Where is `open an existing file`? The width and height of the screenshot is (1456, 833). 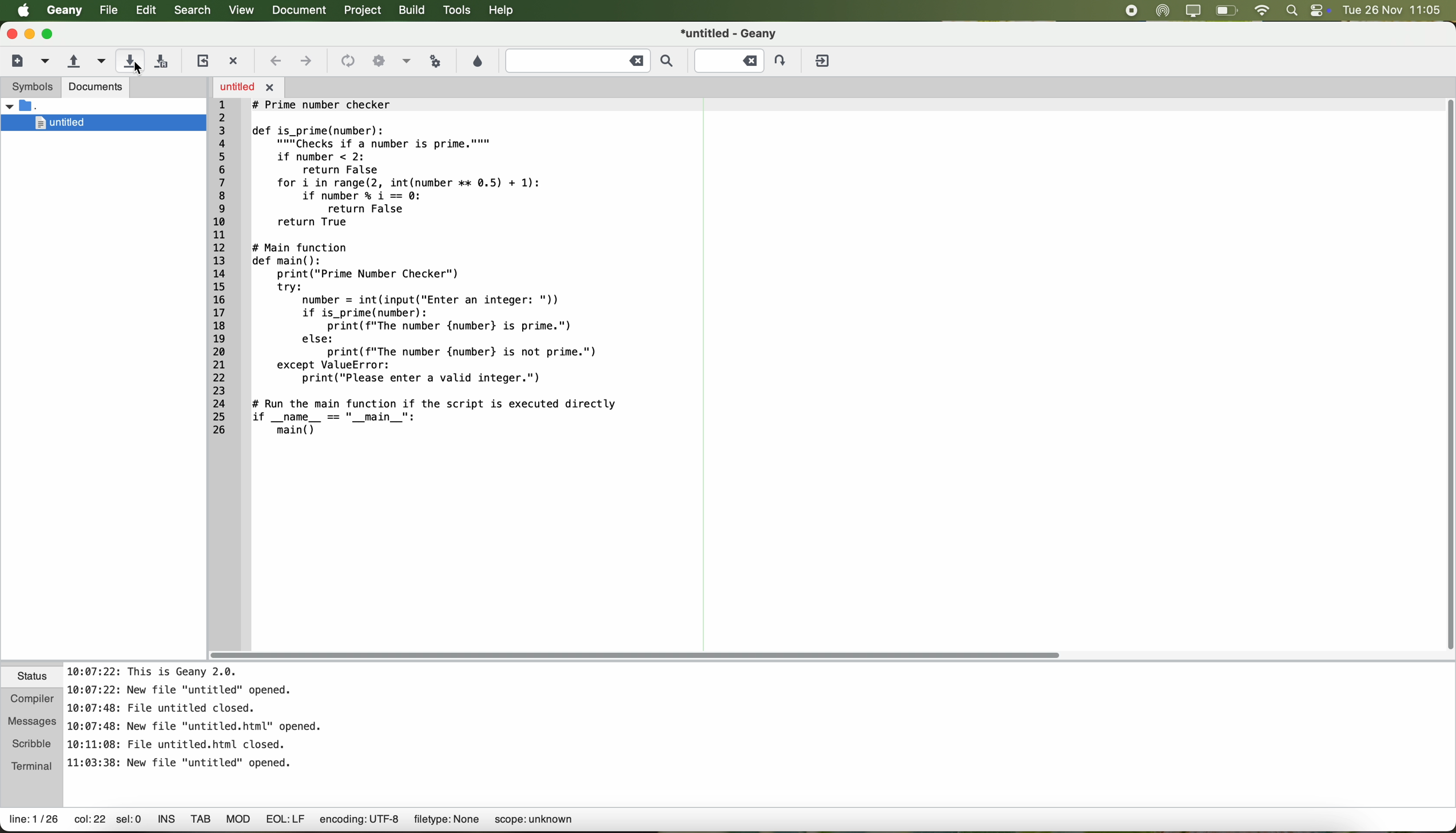
open an existing file is located at coordinates (73, 61).